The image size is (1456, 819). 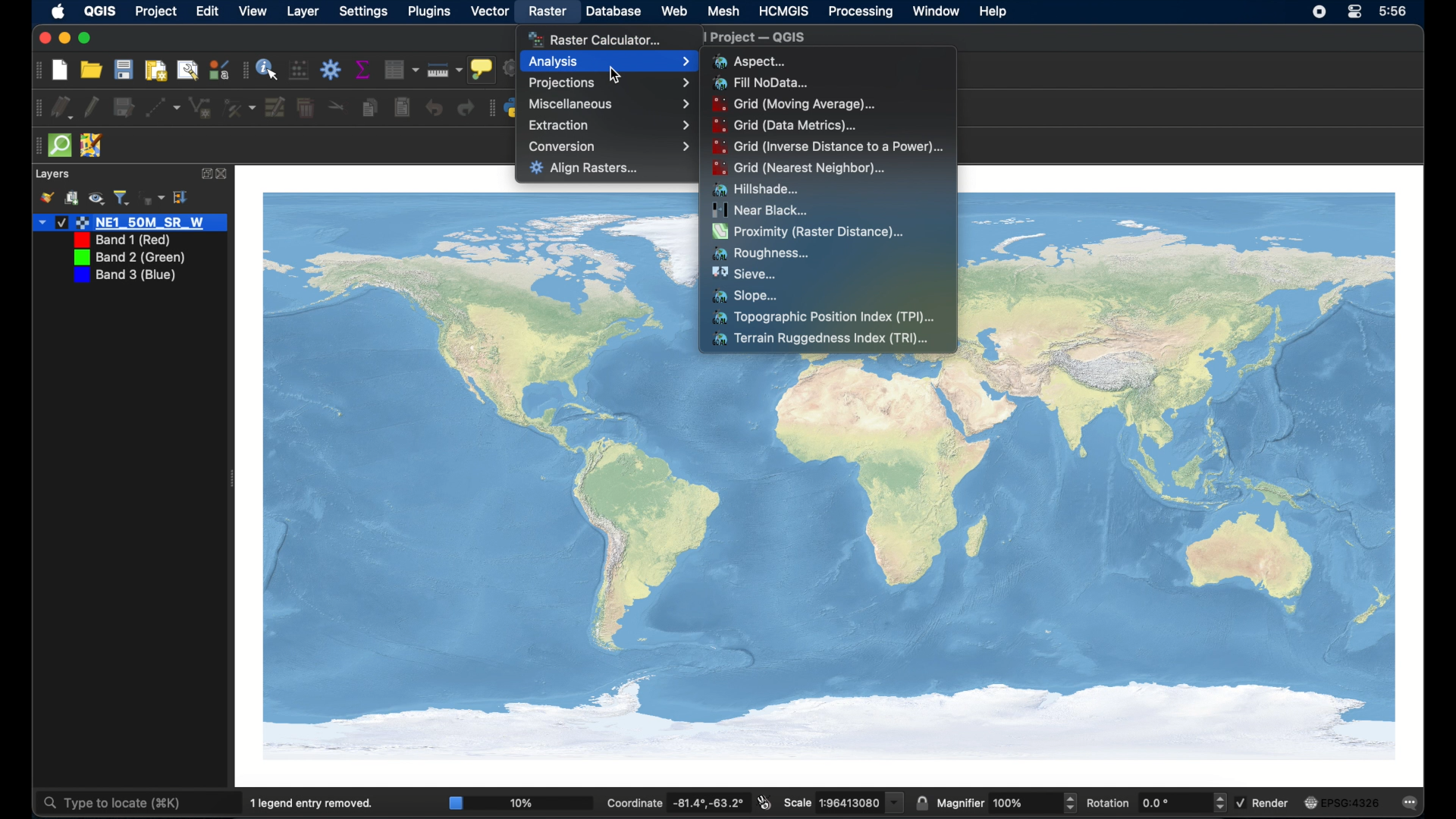 I want to click on edit, so click(x=209, y=11).